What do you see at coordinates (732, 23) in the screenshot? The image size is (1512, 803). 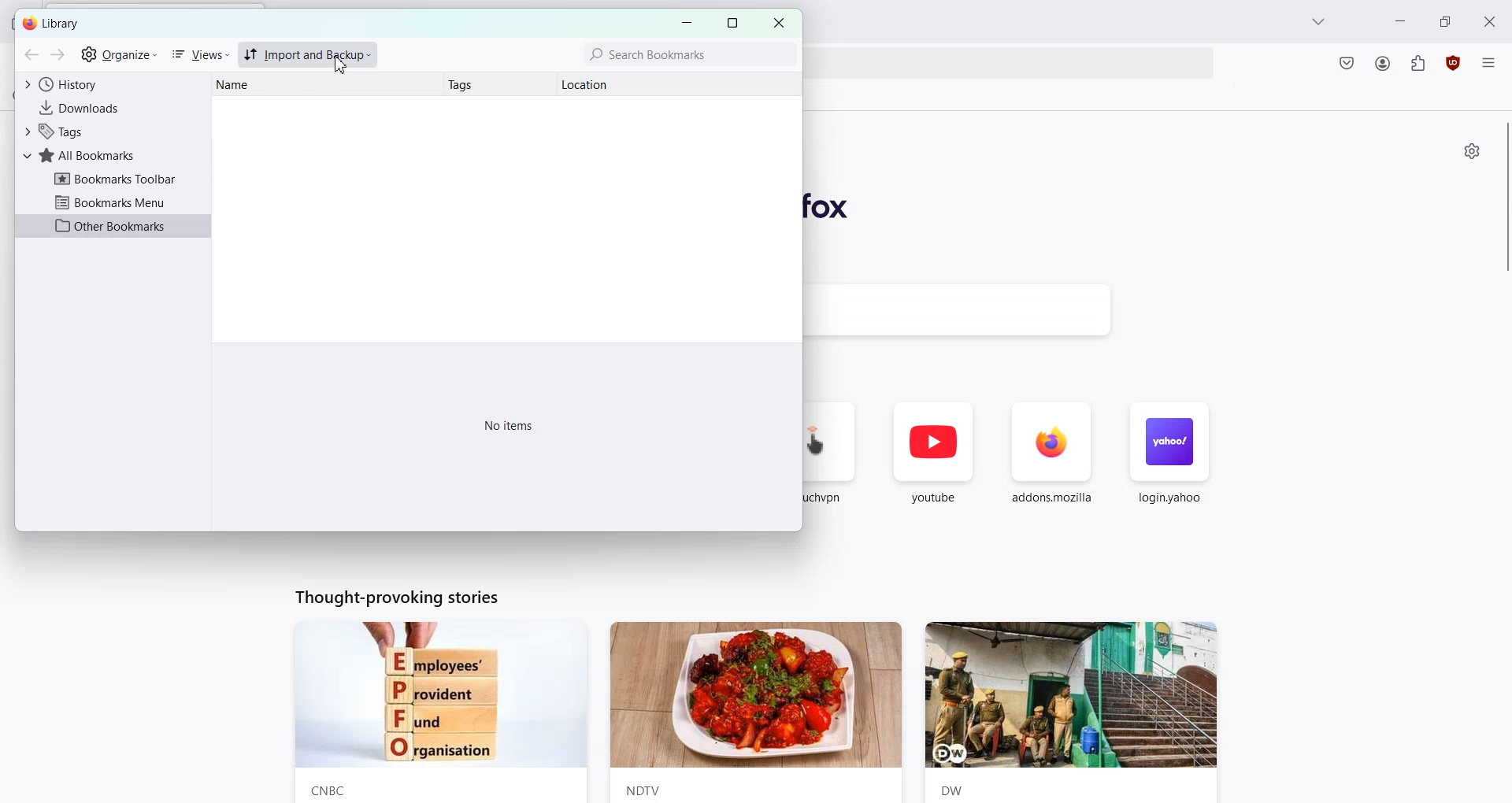 I see `Maximize` at bounding box center [732, 23].